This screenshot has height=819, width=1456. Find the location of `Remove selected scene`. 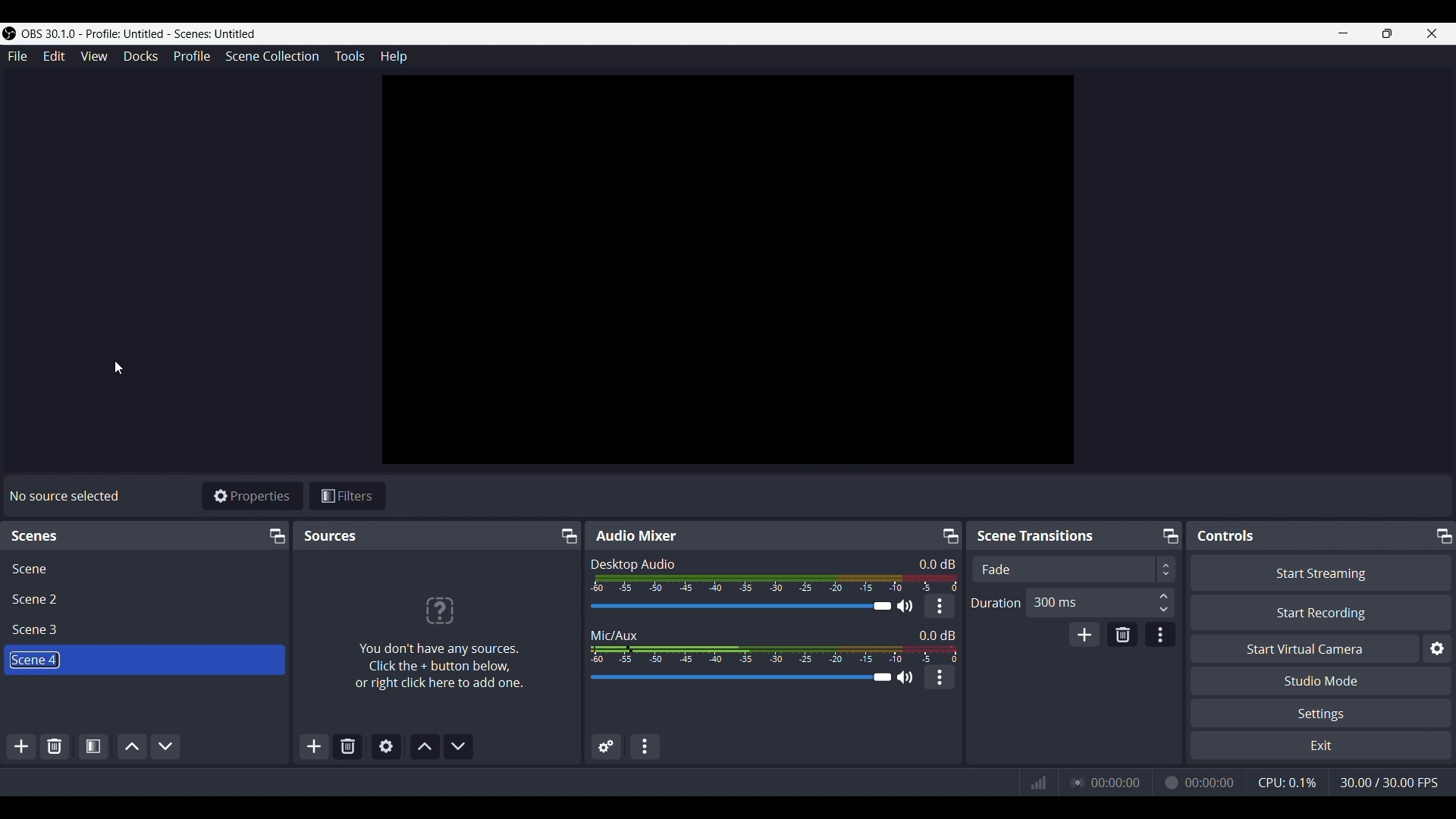

Remove selected scene is located at coordinates (55, 746).